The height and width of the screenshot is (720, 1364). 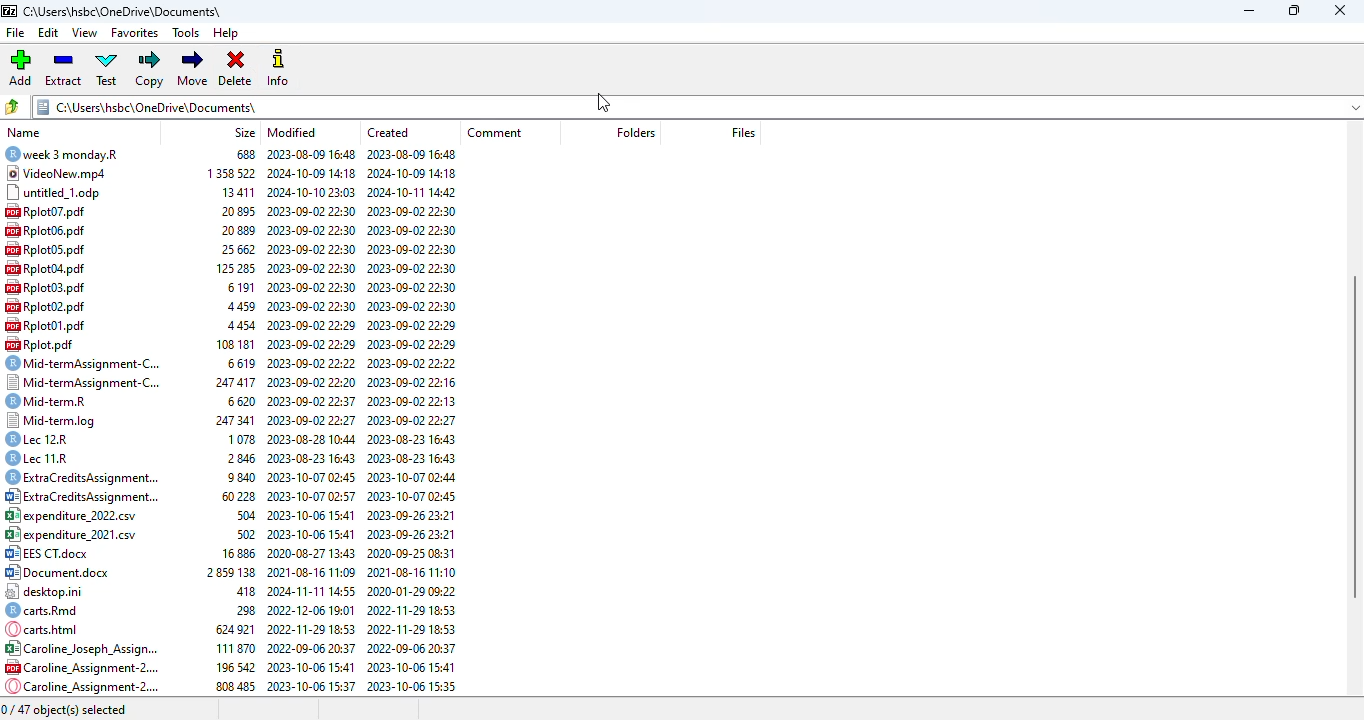 What do you see at coordinates (236, 573) in the screenshot?
I see `2859138` at bounding box center [236, 573].